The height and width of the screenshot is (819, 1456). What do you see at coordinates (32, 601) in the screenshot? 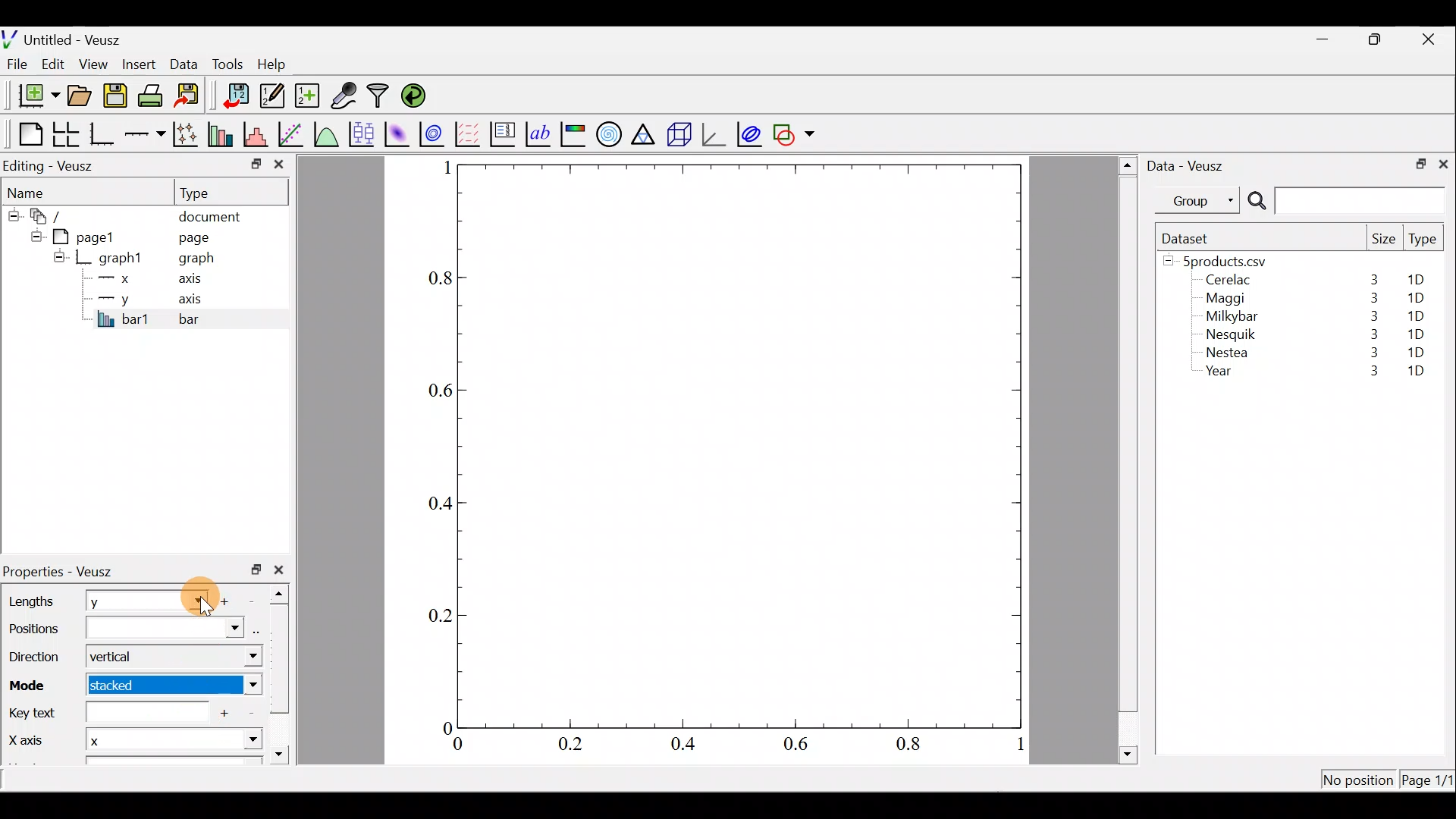
I see `Lengths` at bounding box center [32, 601].